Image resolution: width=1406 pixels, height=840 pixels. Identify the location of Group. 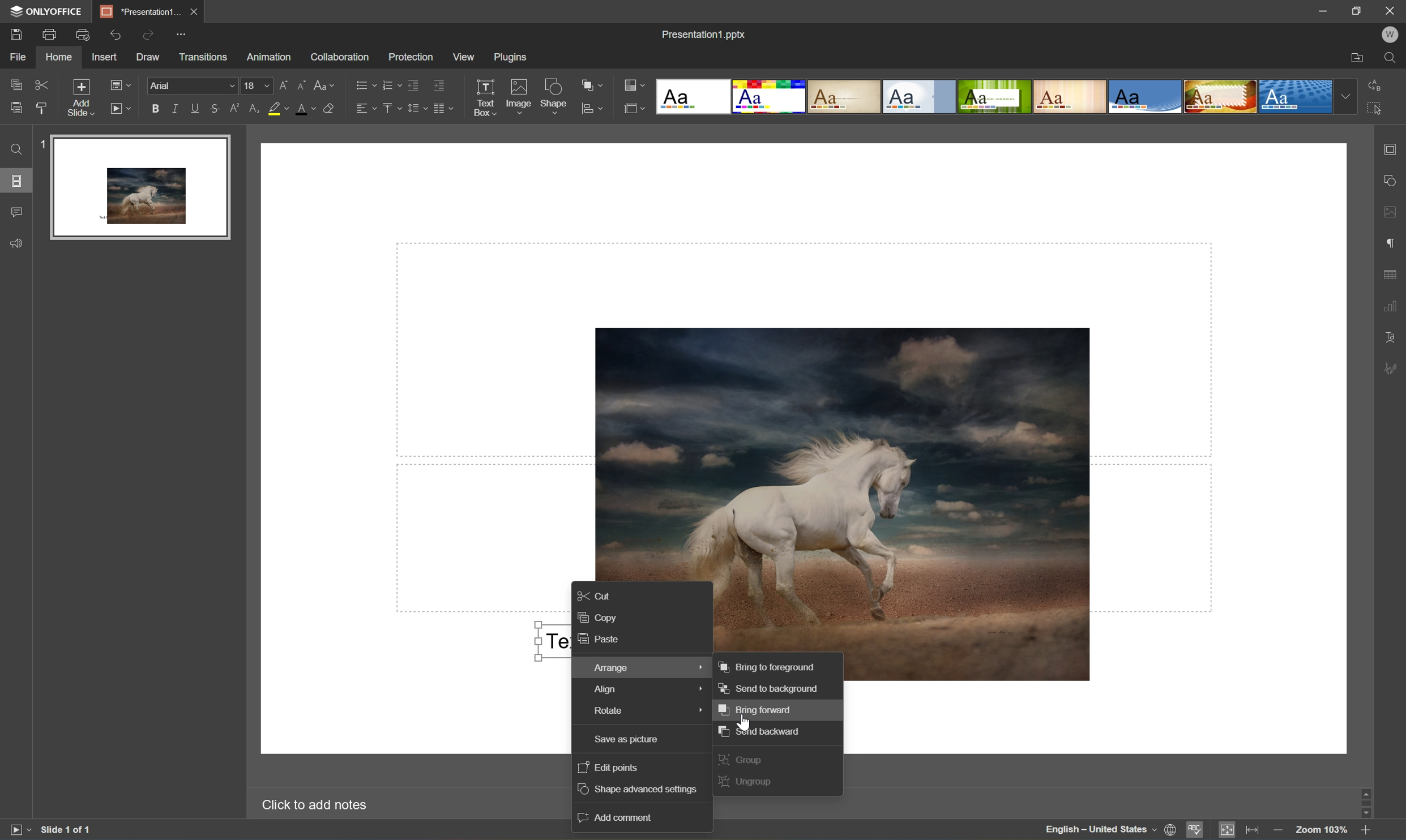
(742, 759).